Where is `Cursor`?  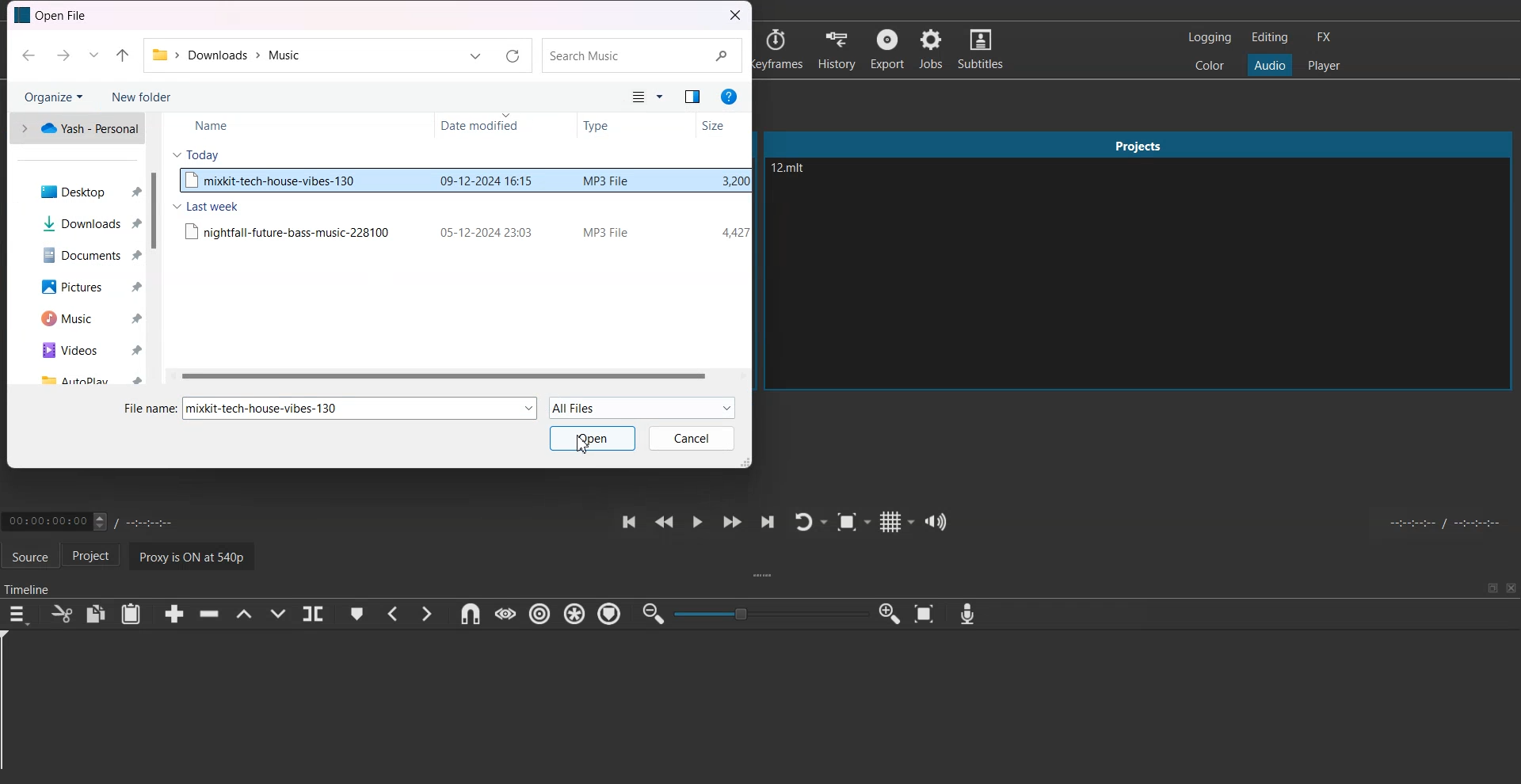 Cursor is located at coordinates (585, 443).